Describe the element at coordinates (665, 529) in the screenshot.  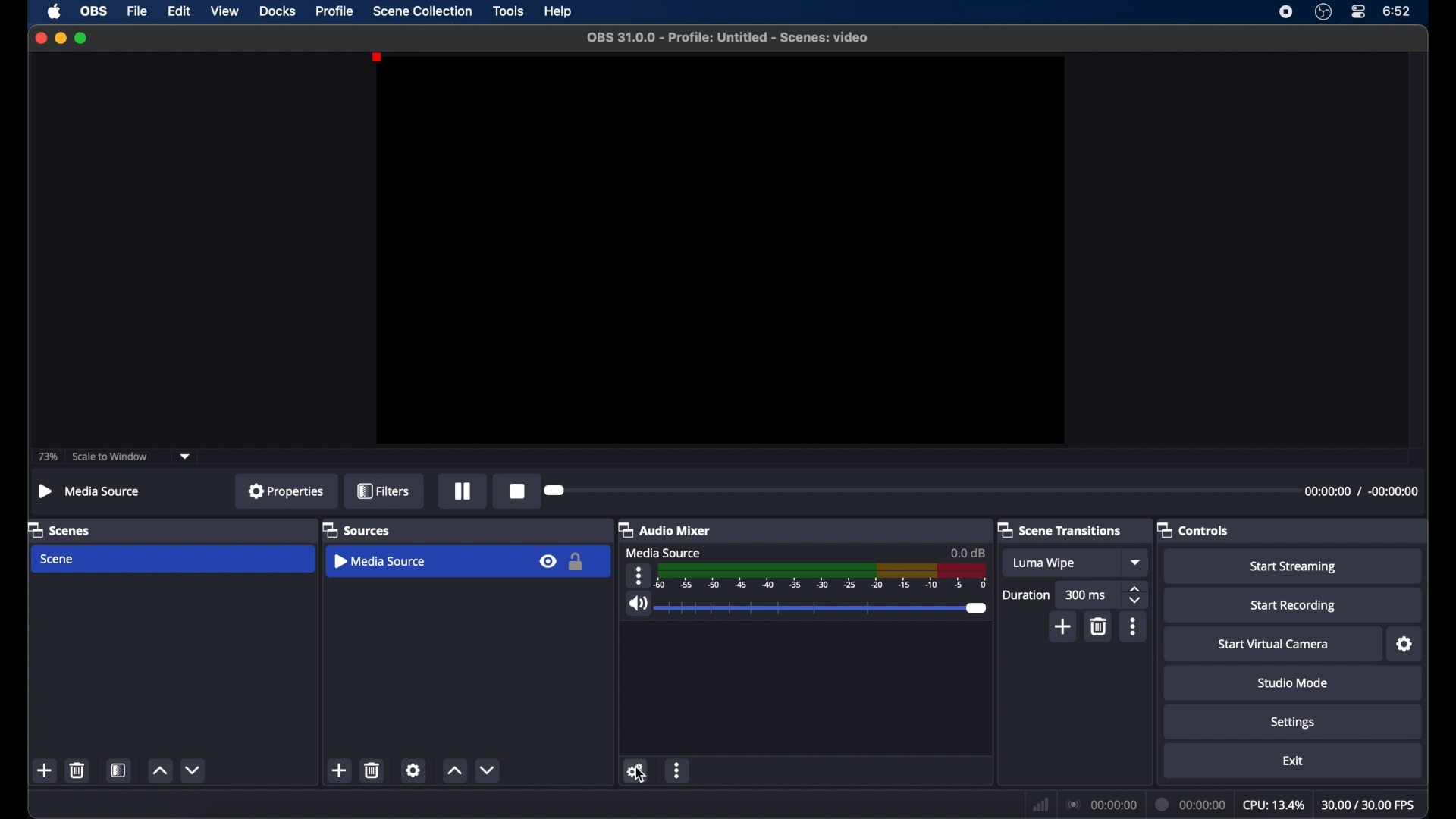
I see `audio mixer` at that location.